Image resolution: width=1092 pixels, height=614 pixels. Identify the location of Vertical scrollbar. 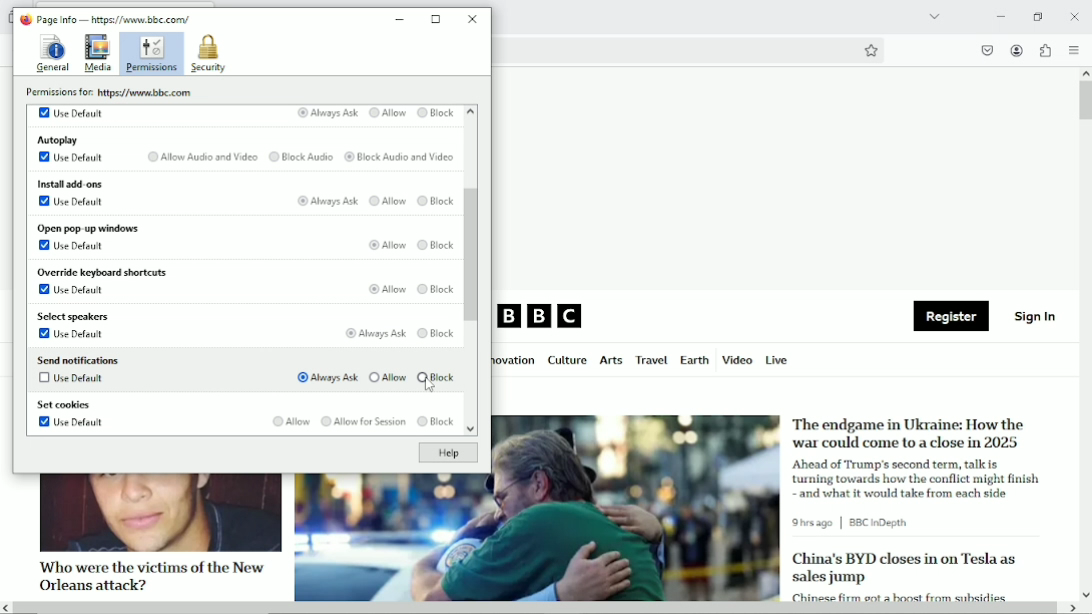
(1085, 101).